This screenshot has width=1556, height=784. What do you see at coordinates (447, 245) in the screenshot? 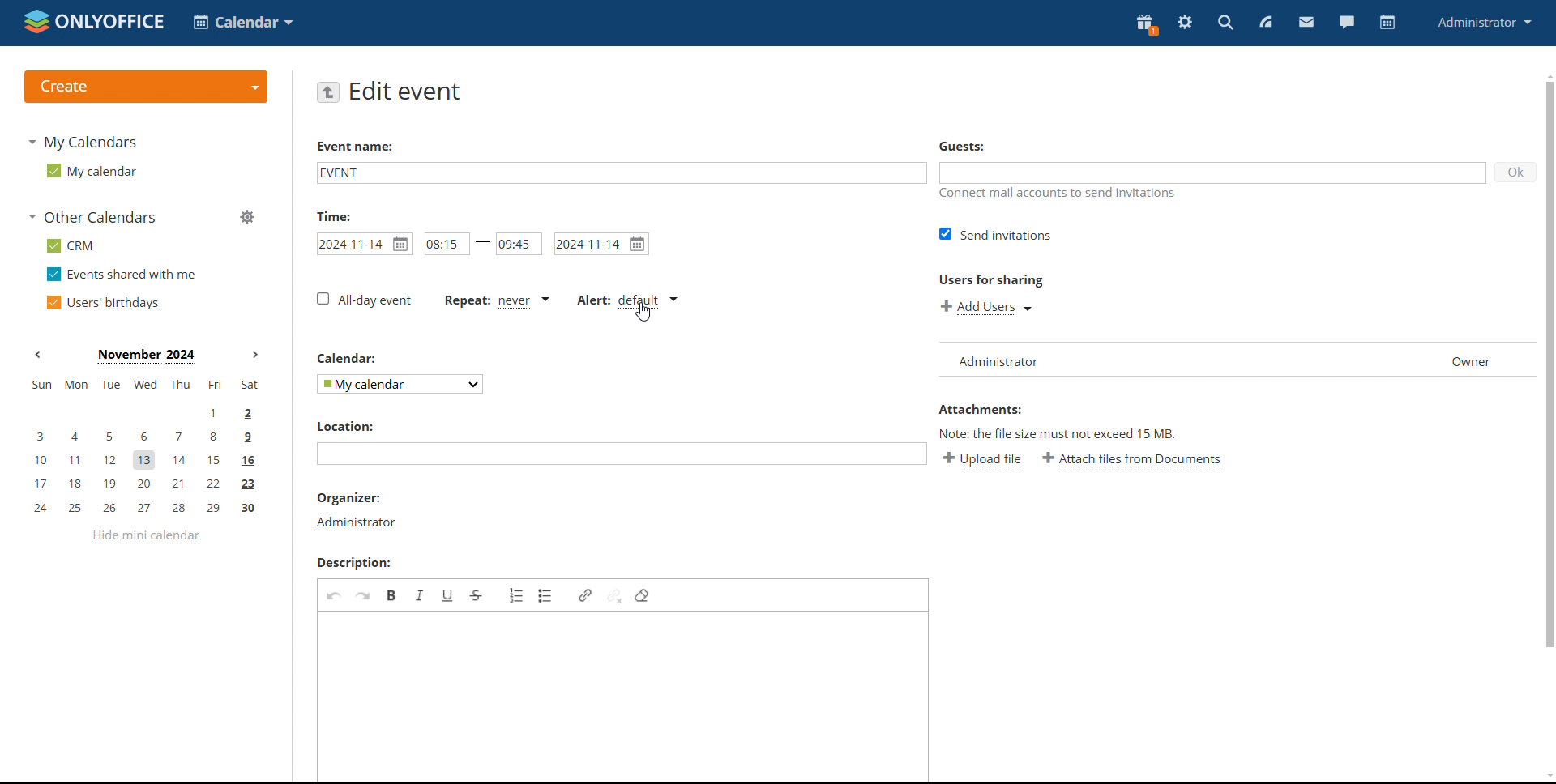
I see `start time` at bounding box center [447, 245].